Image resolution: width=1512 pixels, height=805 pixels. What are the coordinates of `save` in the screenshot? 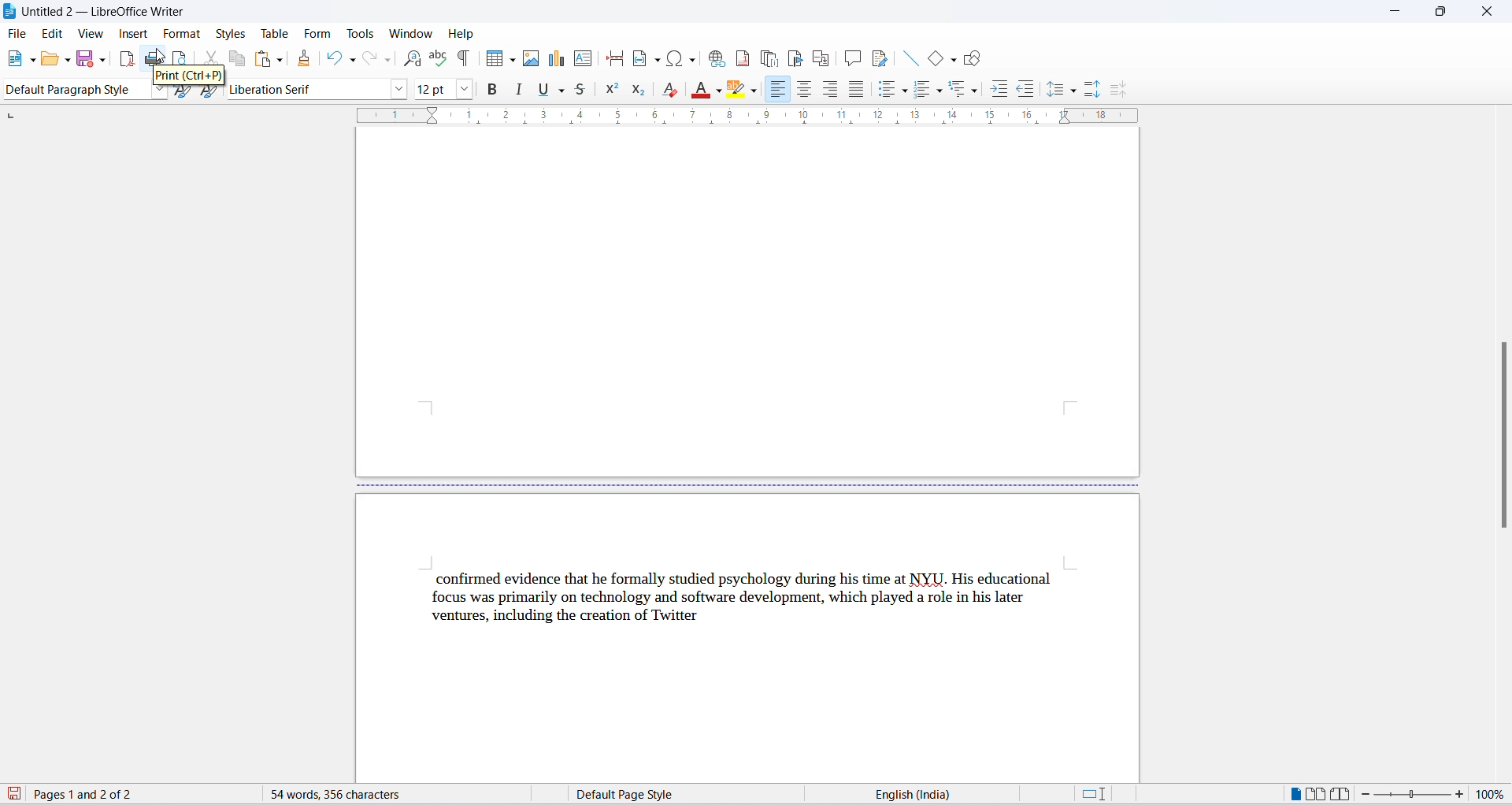 It's located at (85, 61).